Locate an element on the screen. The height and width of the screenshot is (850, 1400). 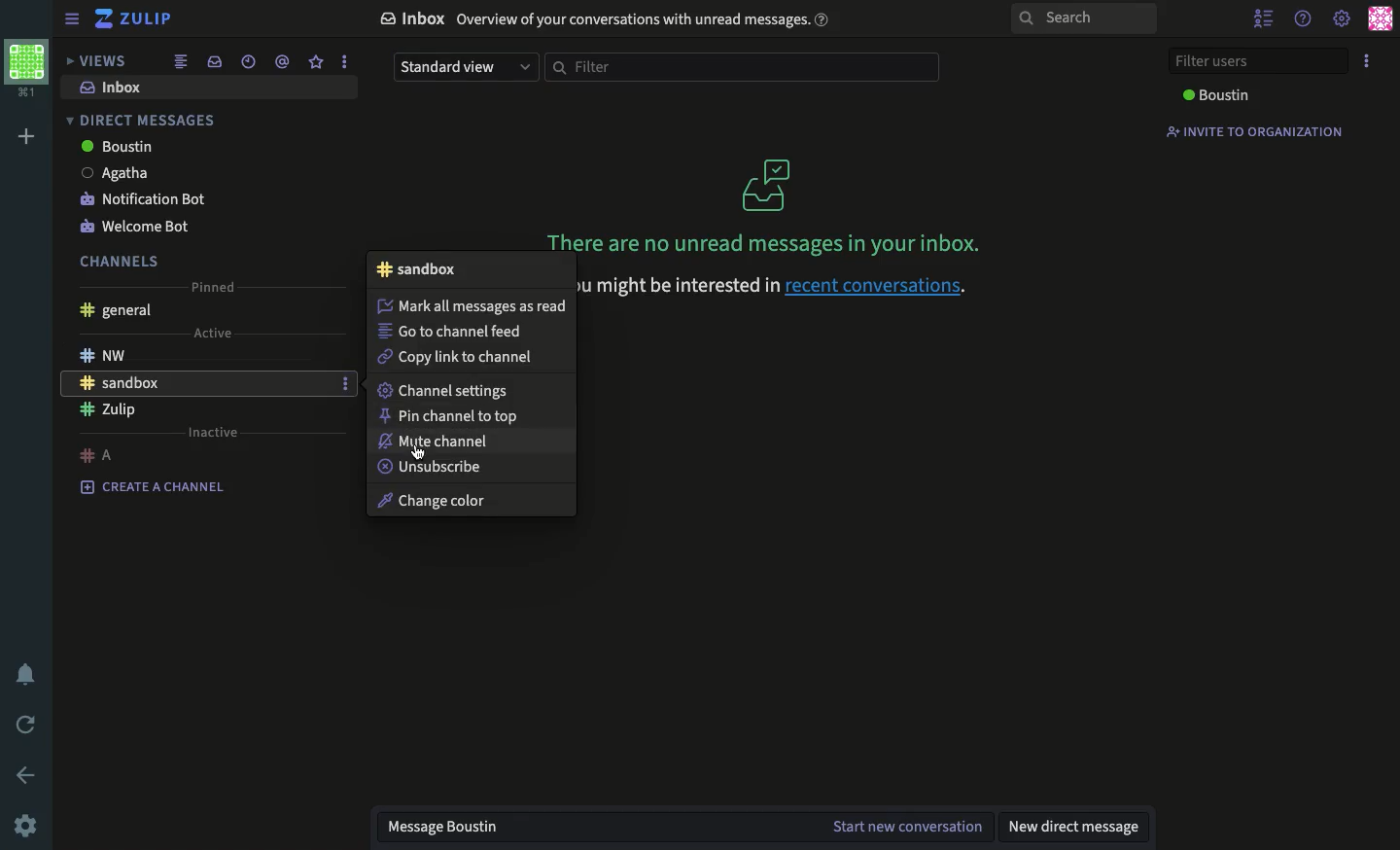
settings is located at coordinates (1341, 18).